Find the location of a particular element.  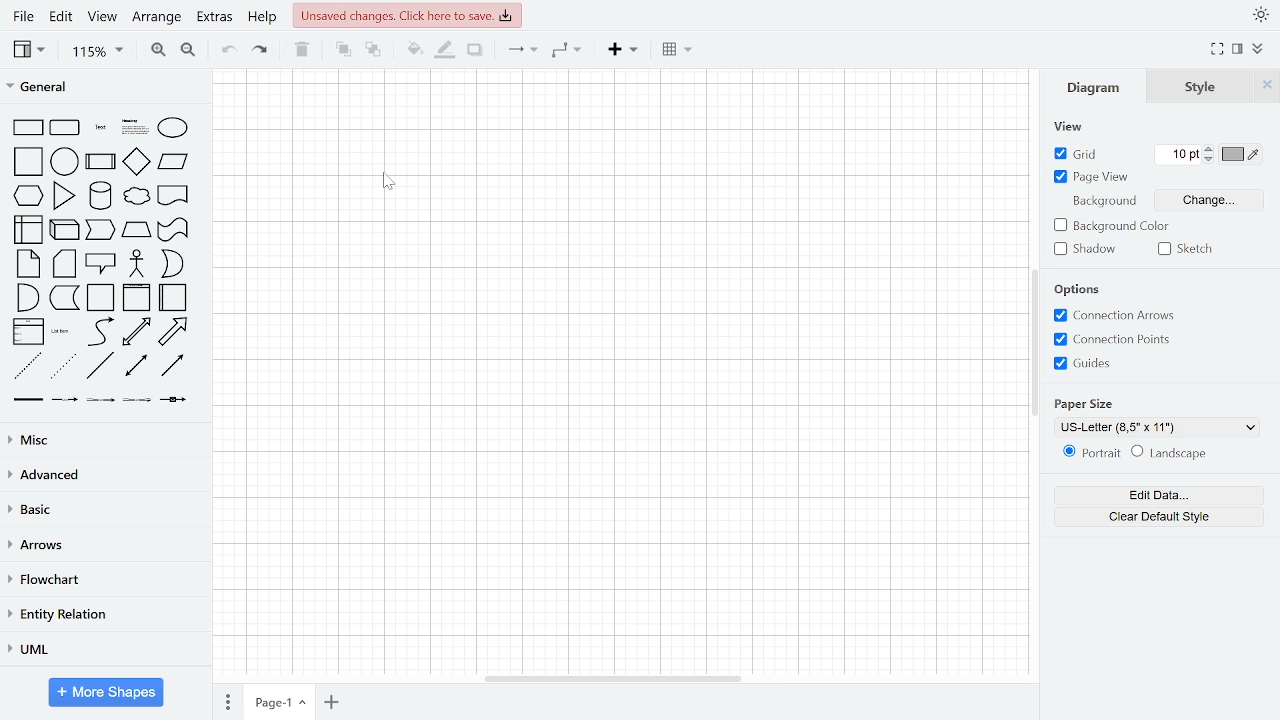

arrows is located at coordinates (104, 545).